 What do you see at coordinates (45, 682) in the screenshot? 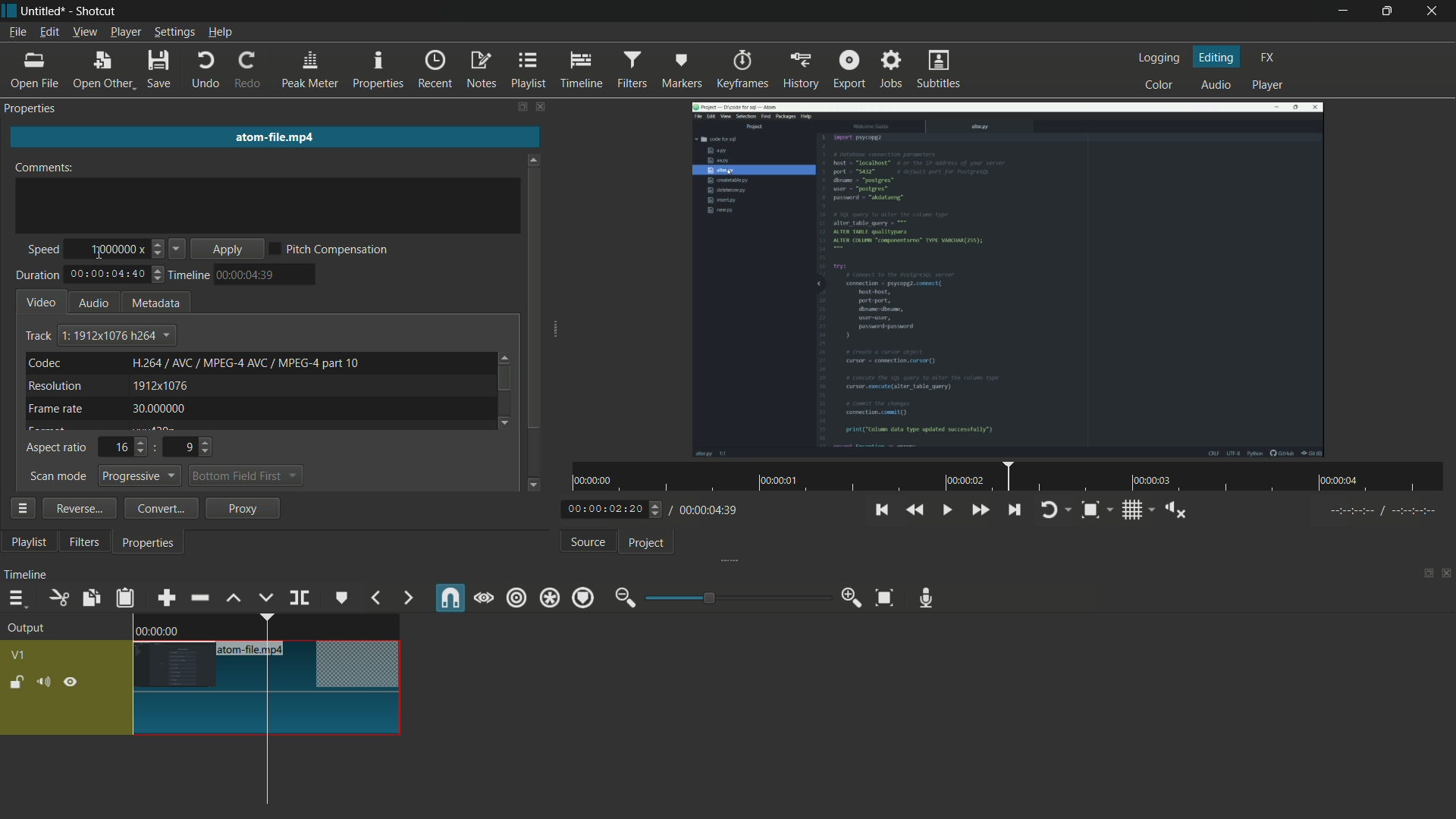
I see `mute` at bounding box center [45, 682].